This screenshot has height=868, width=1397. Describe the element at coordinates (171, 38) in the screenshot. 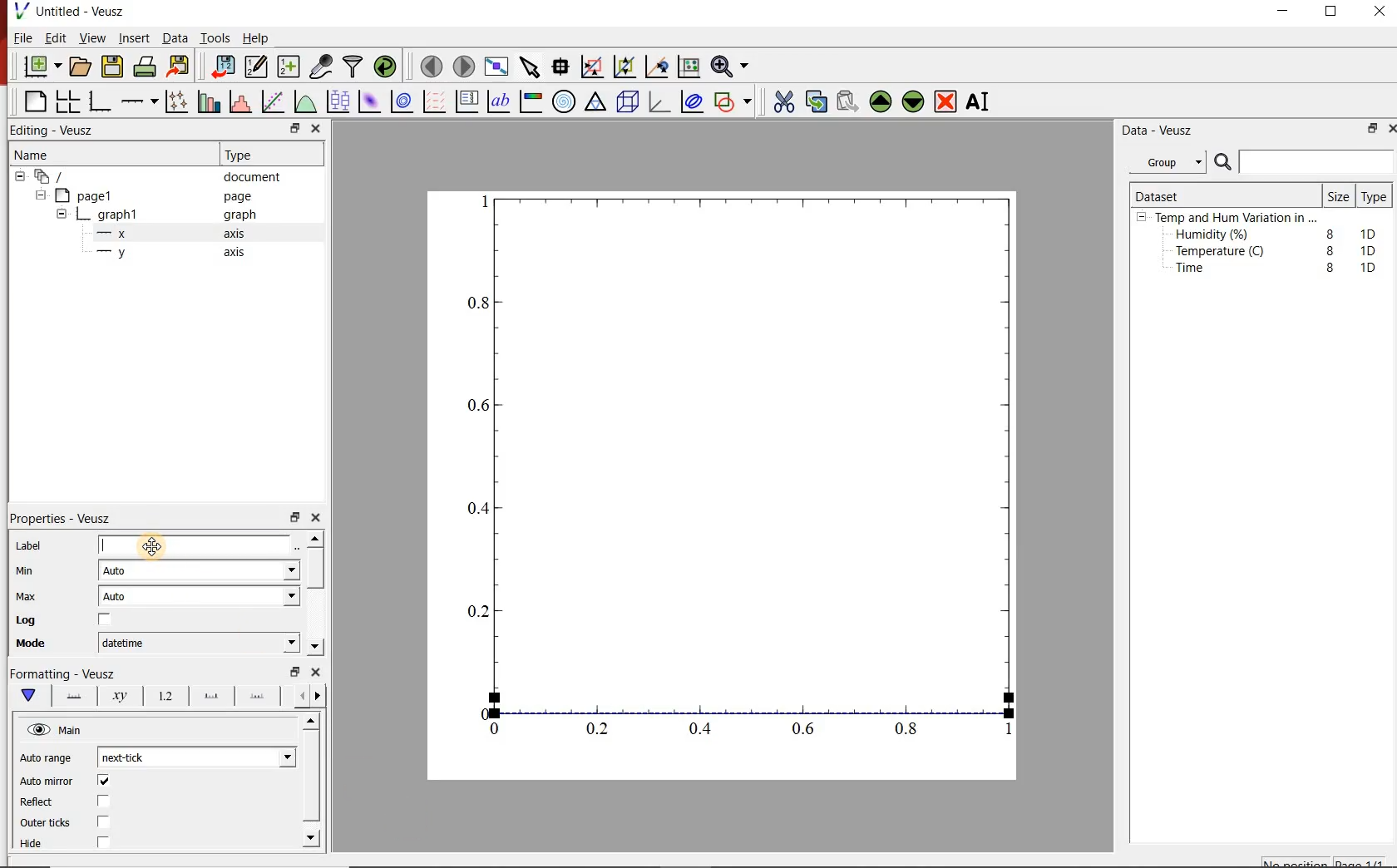

I see `Data` at that location.